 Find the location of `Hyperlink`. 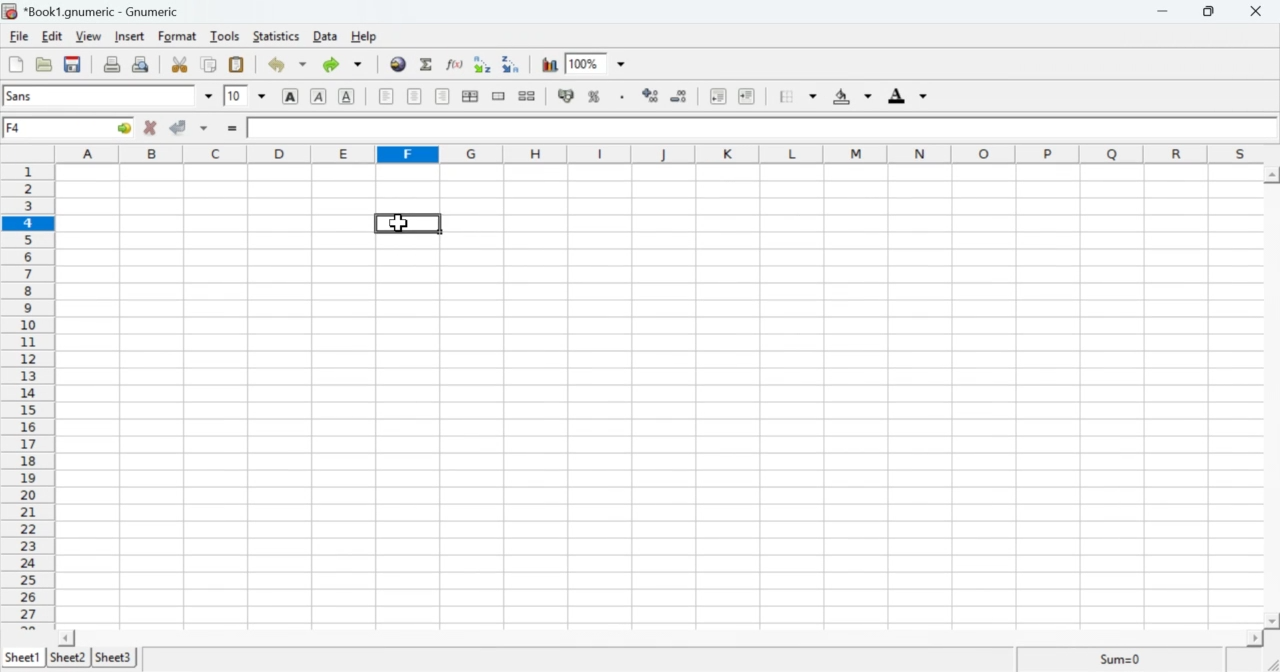

Hyperlink is located at coordinates (398, 67).